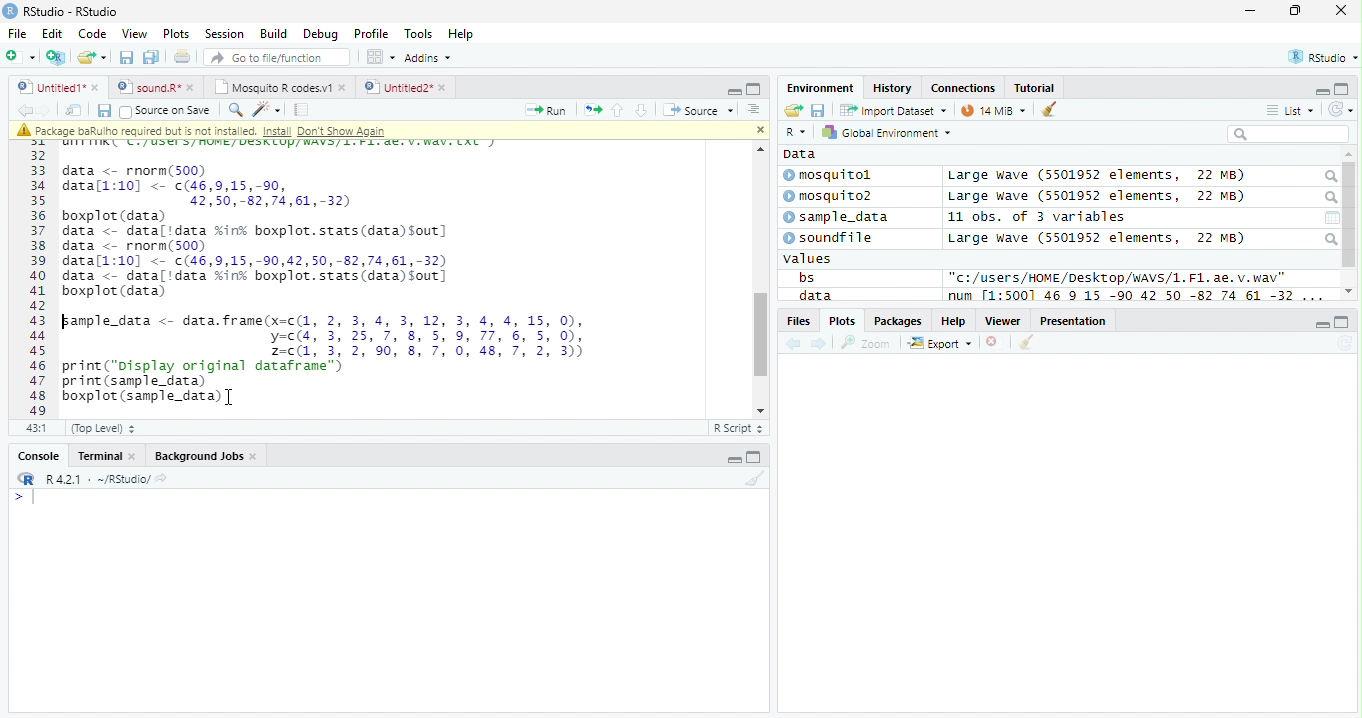 The width and height of the screenshot is (1362, 718). What do you see at coordinates (92, 57) in the screenshot?
I see `open an existing file` at bounding box center [92, 57].